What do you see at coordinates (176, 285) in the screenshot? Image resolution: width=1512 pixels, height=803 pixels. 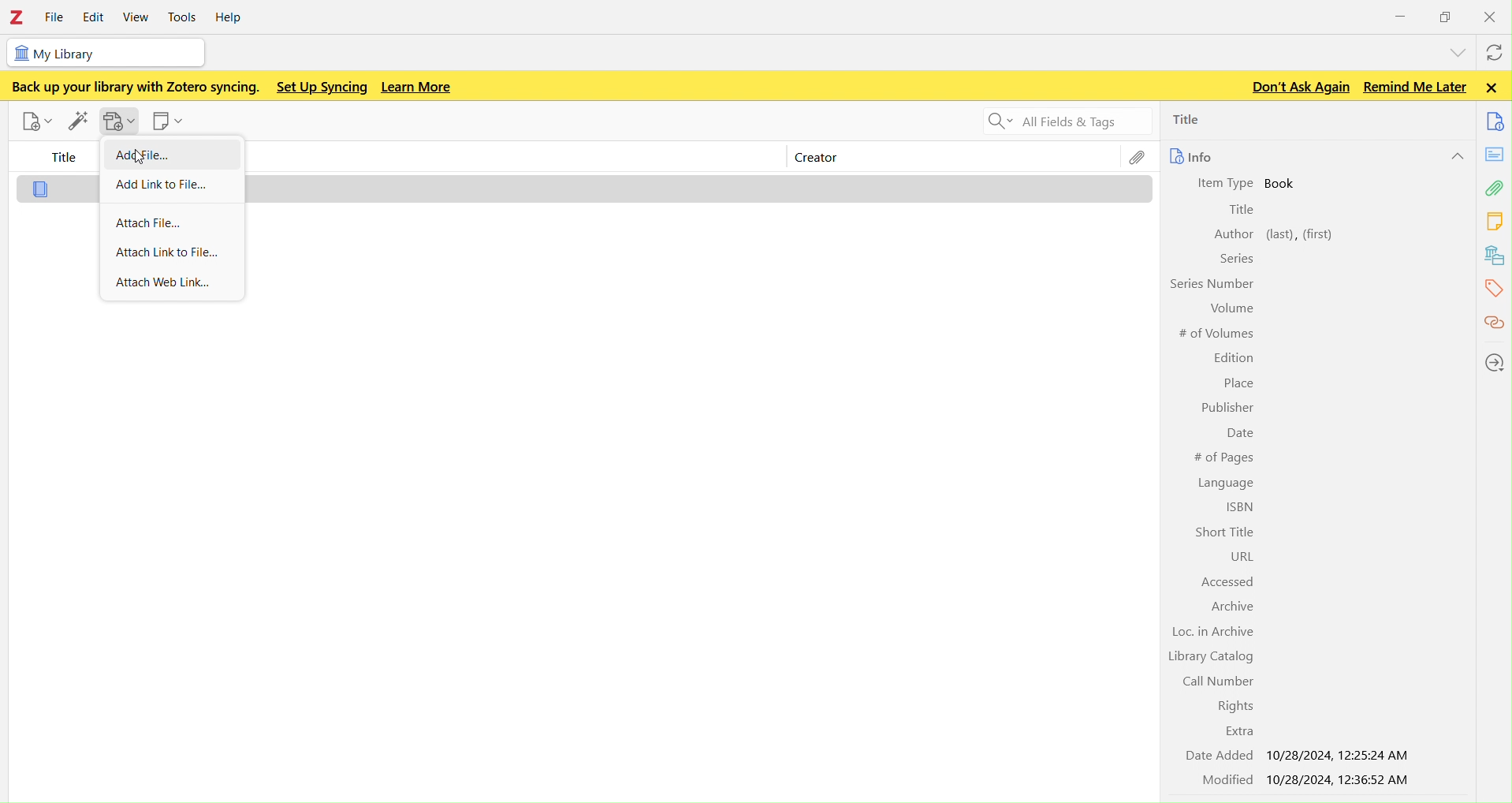 I see `attach web link` at bounding box center [176, 285].